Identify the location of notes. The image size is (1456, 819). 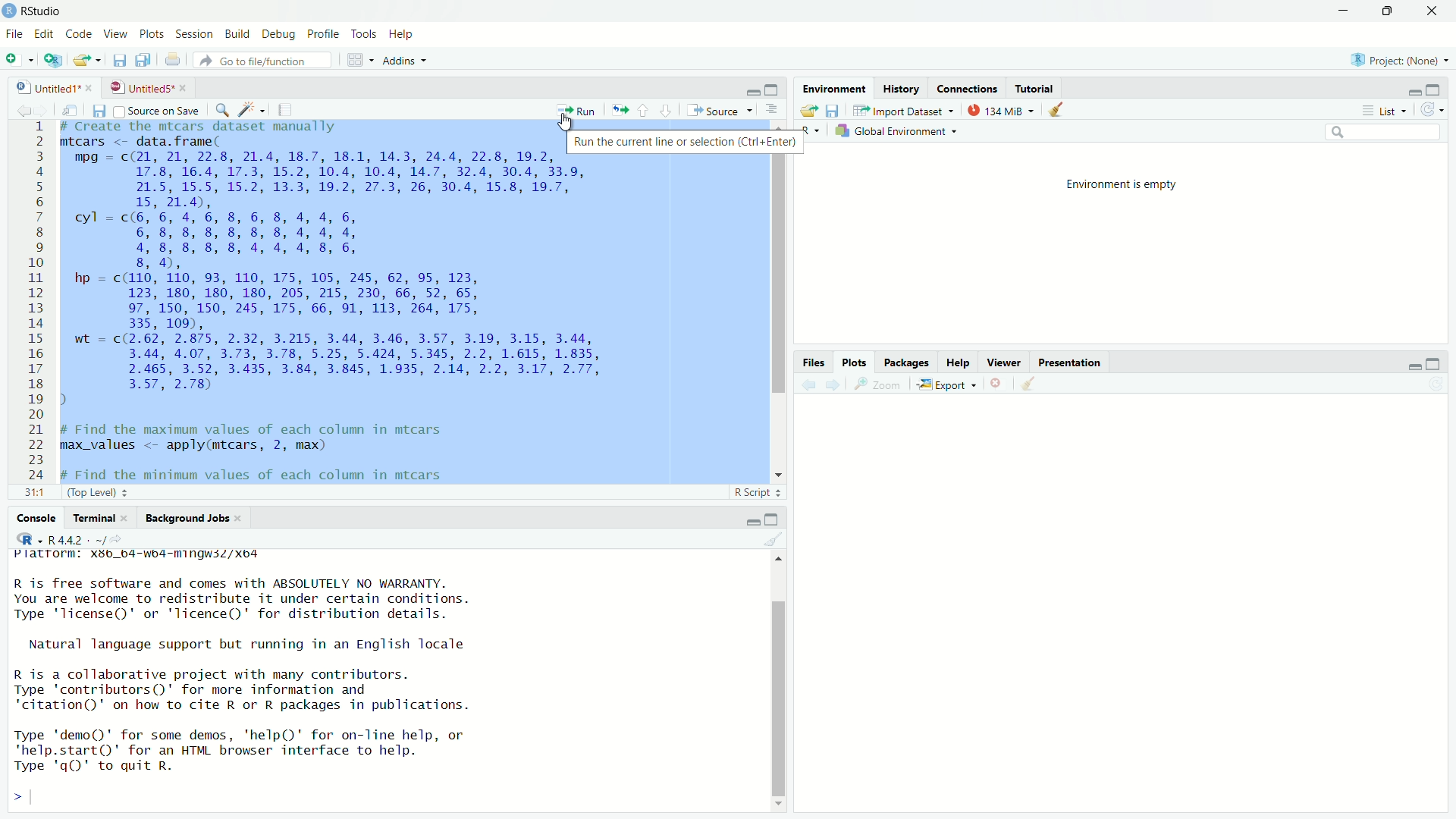
(284, 109).